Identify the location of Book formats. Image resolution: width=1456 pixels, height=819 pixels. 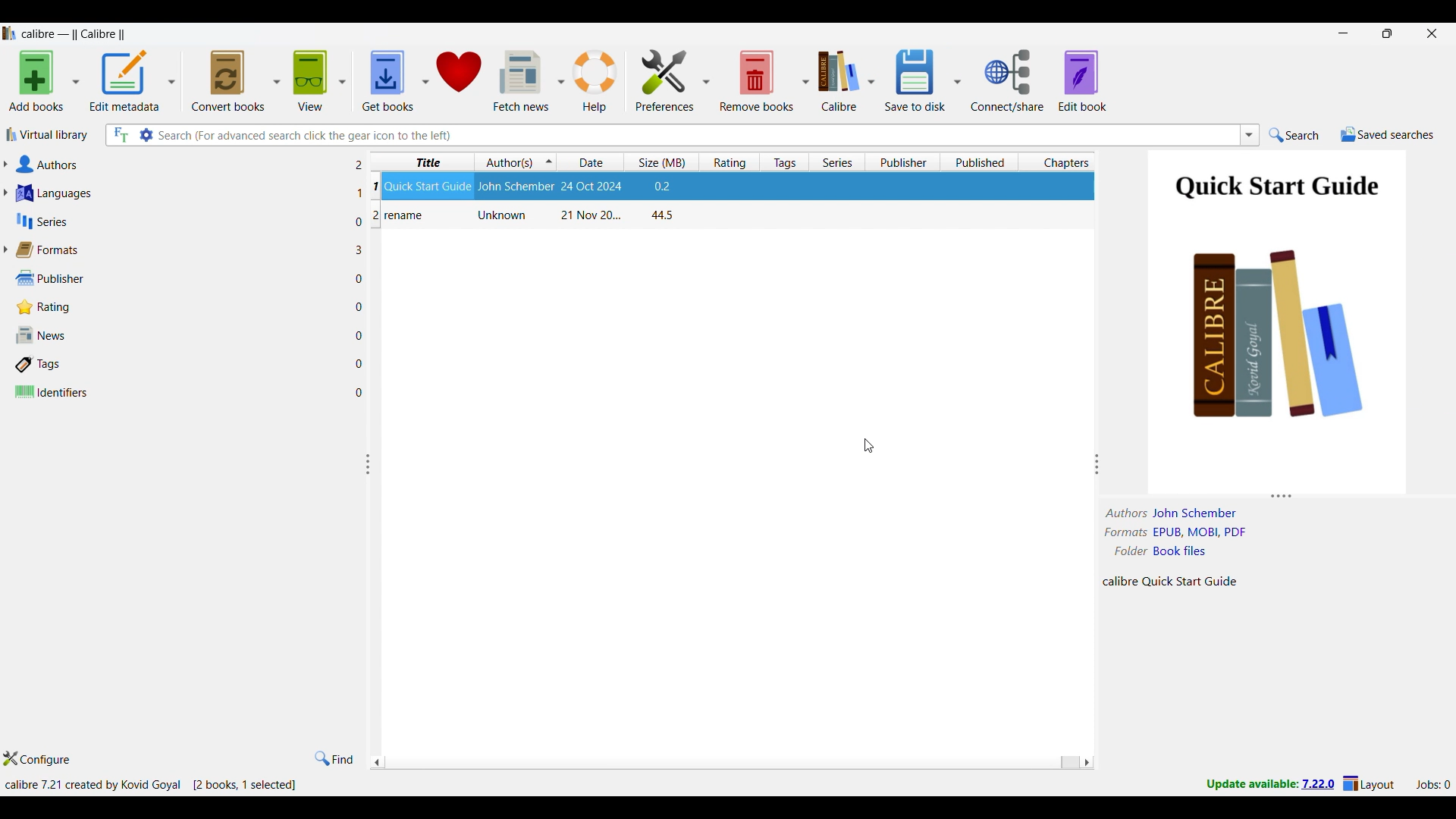
(1186, 532).